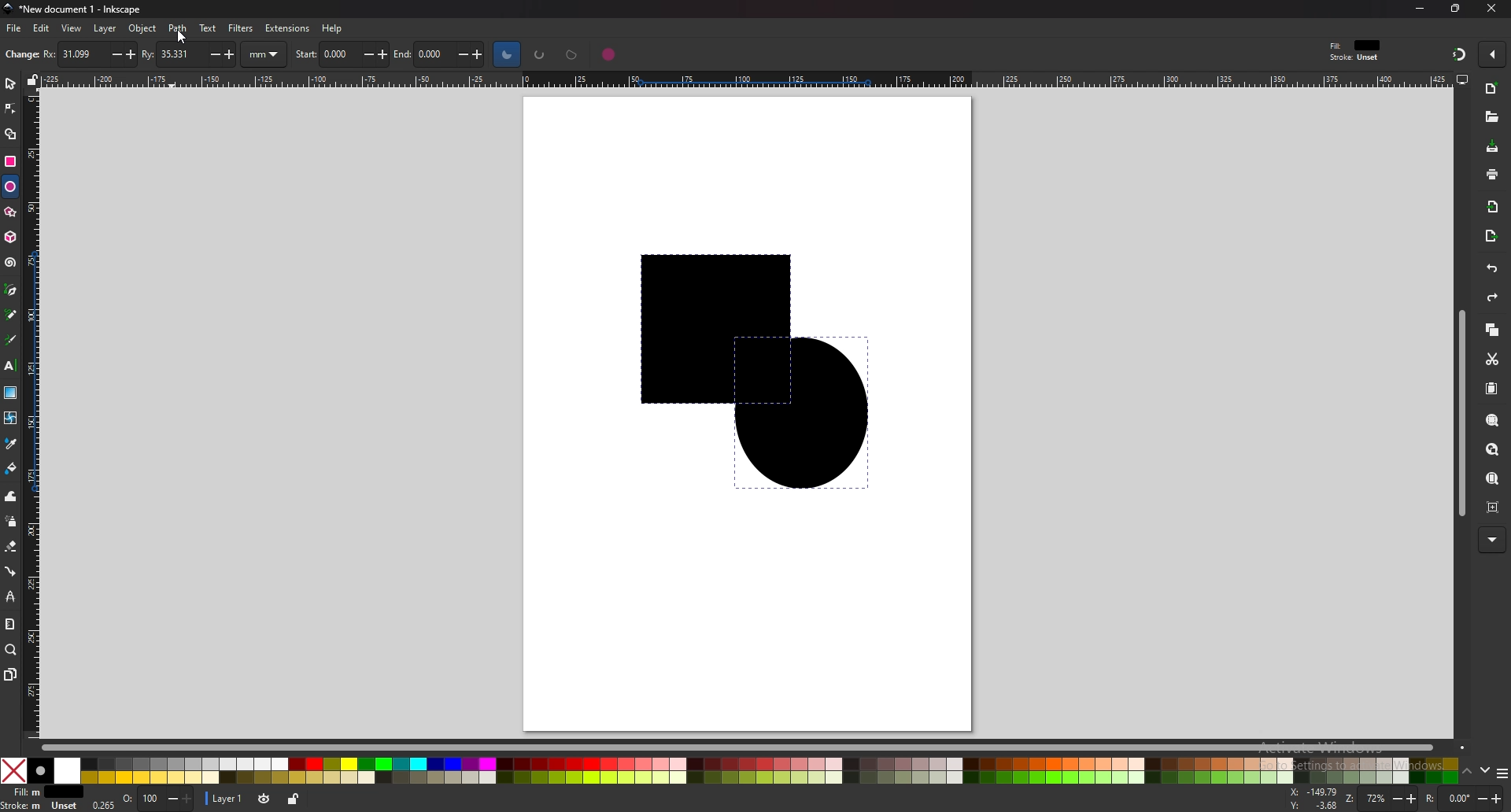 This screenshot has width=1511, height=812. What do you see at coordinates (102, 806) in the screenshot?
I see `0.265` at bounding box center [102, 806].